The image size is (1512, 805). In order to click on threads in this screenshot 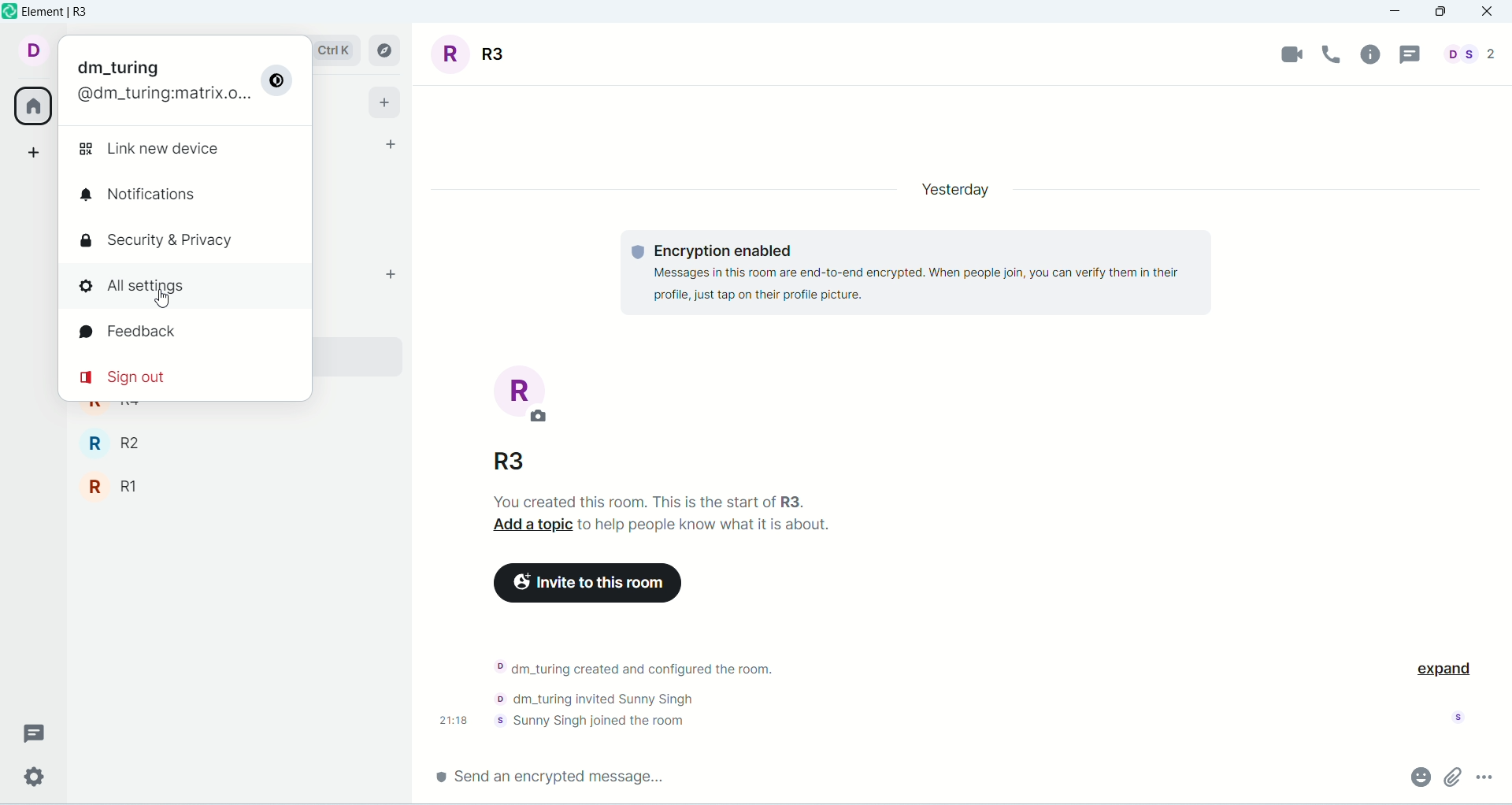, I will do `click(34, 730)`.